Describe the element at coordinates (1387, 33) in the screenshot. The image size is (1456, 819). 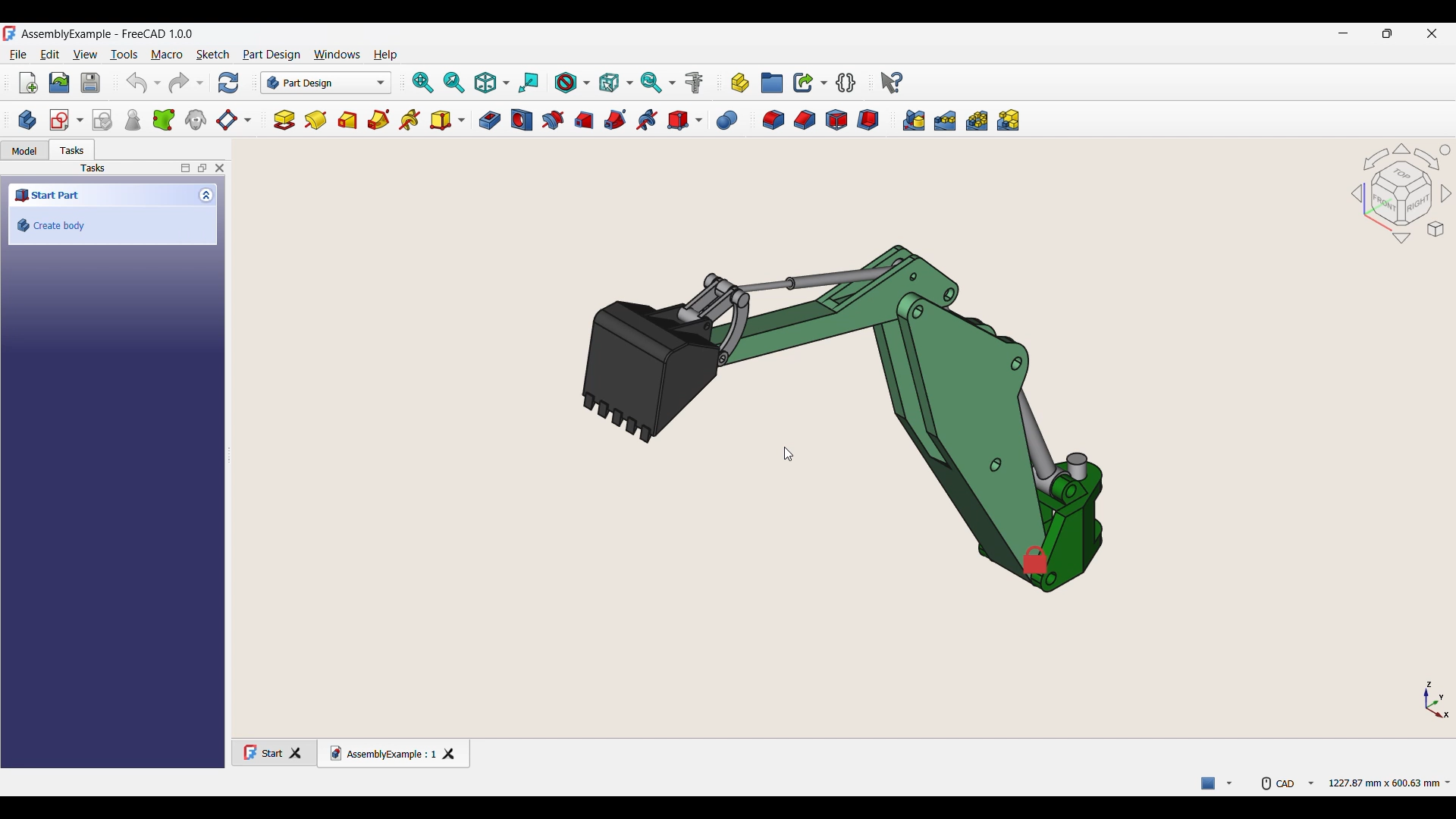
I see `Show in smaller tab` at that location.